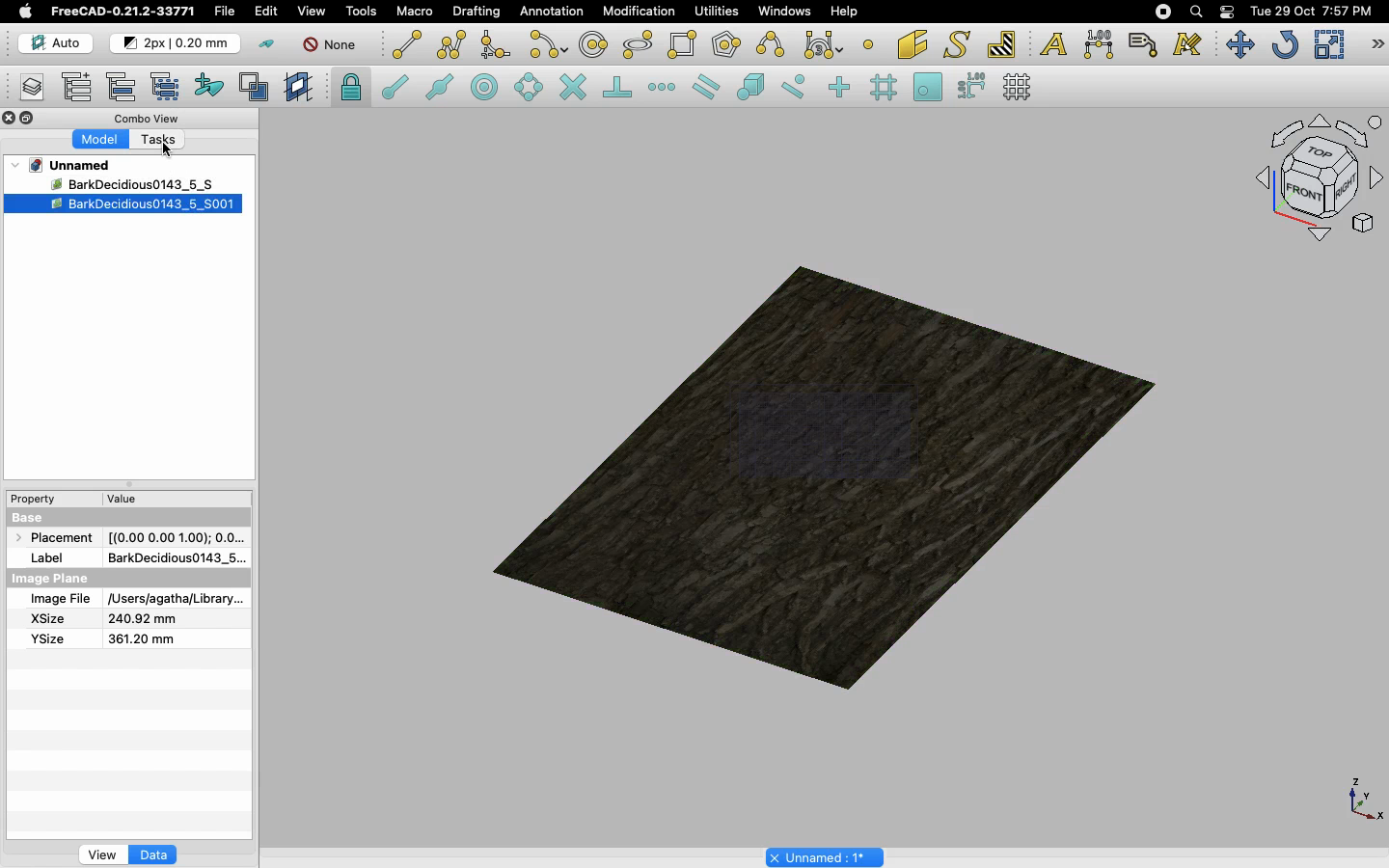  Describe the element at coordinates (407, 44) in the screenshot. I see `Line` at that location.